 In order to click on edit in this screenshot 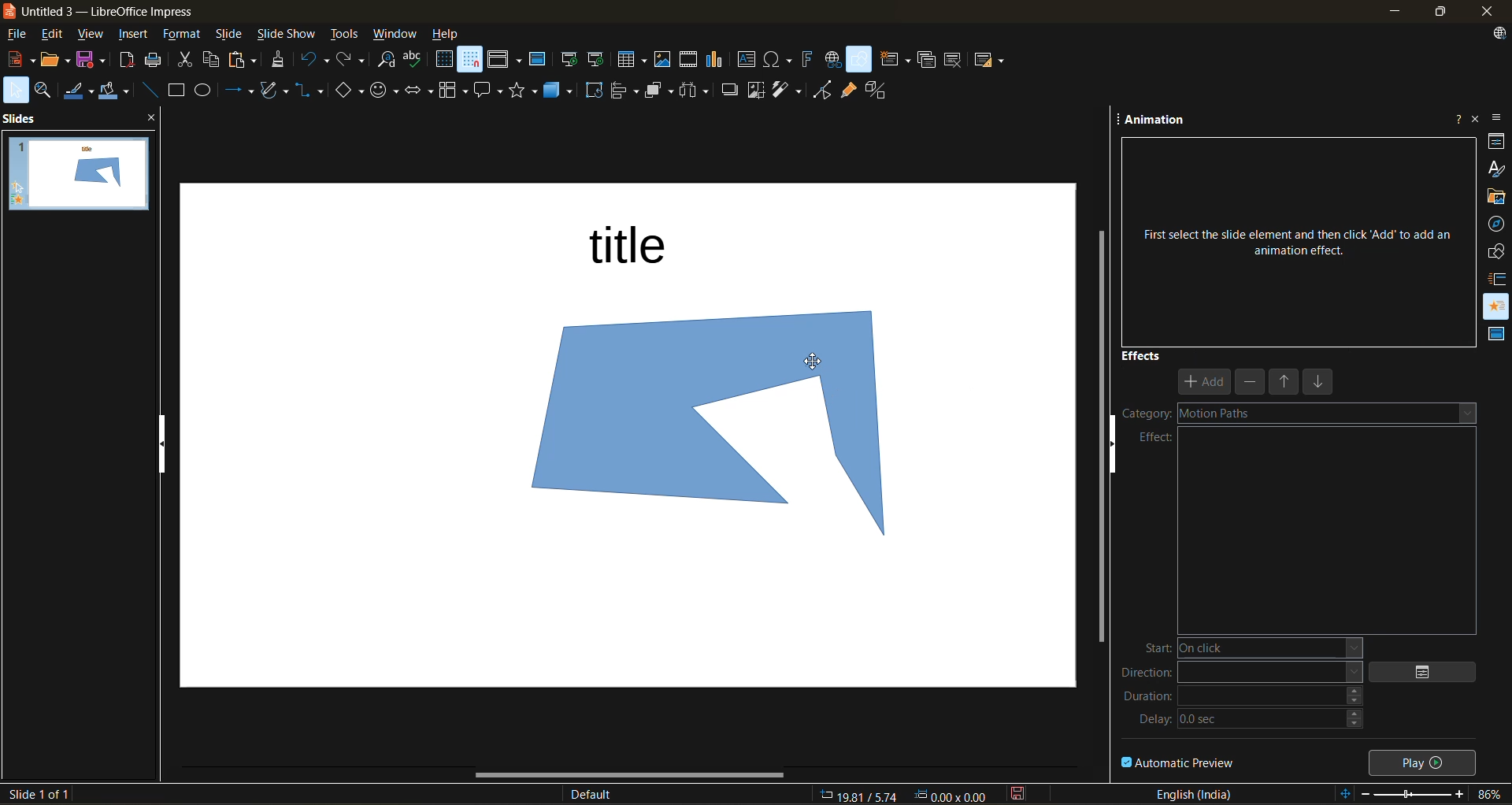, I will do `click(57, 35)`.